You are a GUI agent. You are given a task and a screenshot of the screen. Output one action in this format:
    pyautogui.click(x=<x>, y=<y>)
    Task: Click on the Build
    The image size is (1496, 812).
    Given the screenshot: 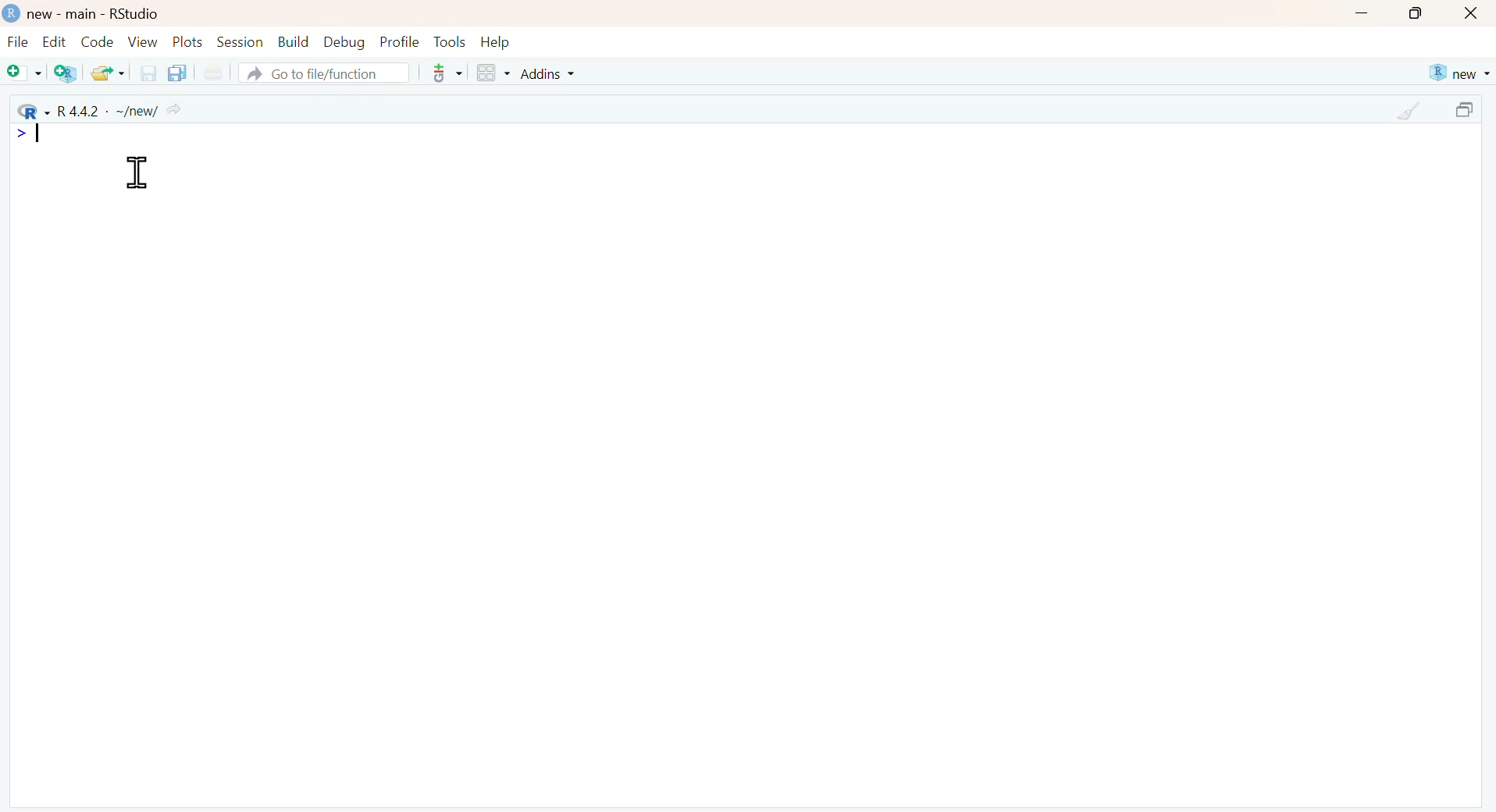 What is the action you would take?
    pyautogui.click(x=293, y=42)
    